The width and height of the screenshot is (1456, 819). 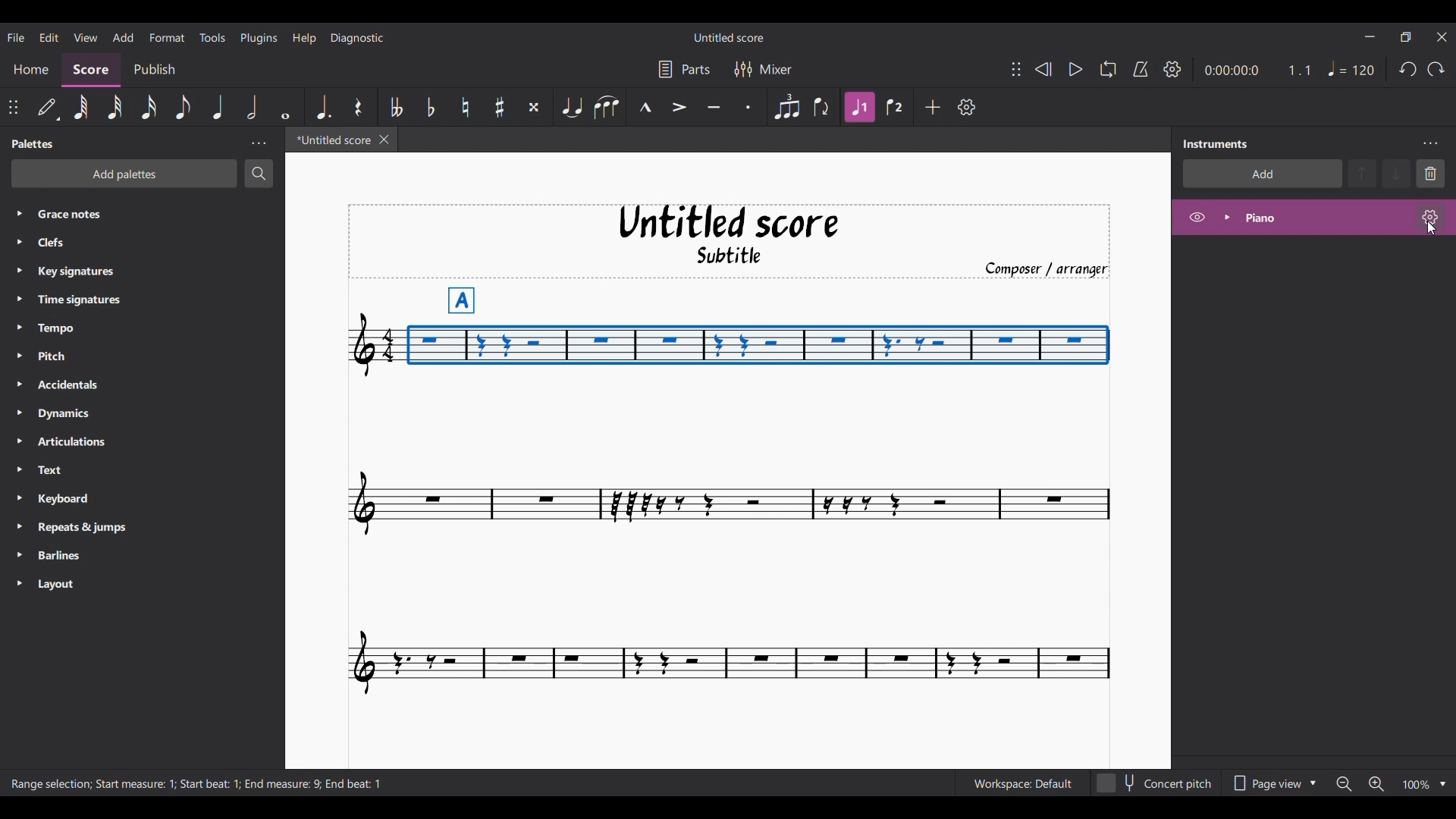 I want to click on Rewind, so click(x=1043, y=69).